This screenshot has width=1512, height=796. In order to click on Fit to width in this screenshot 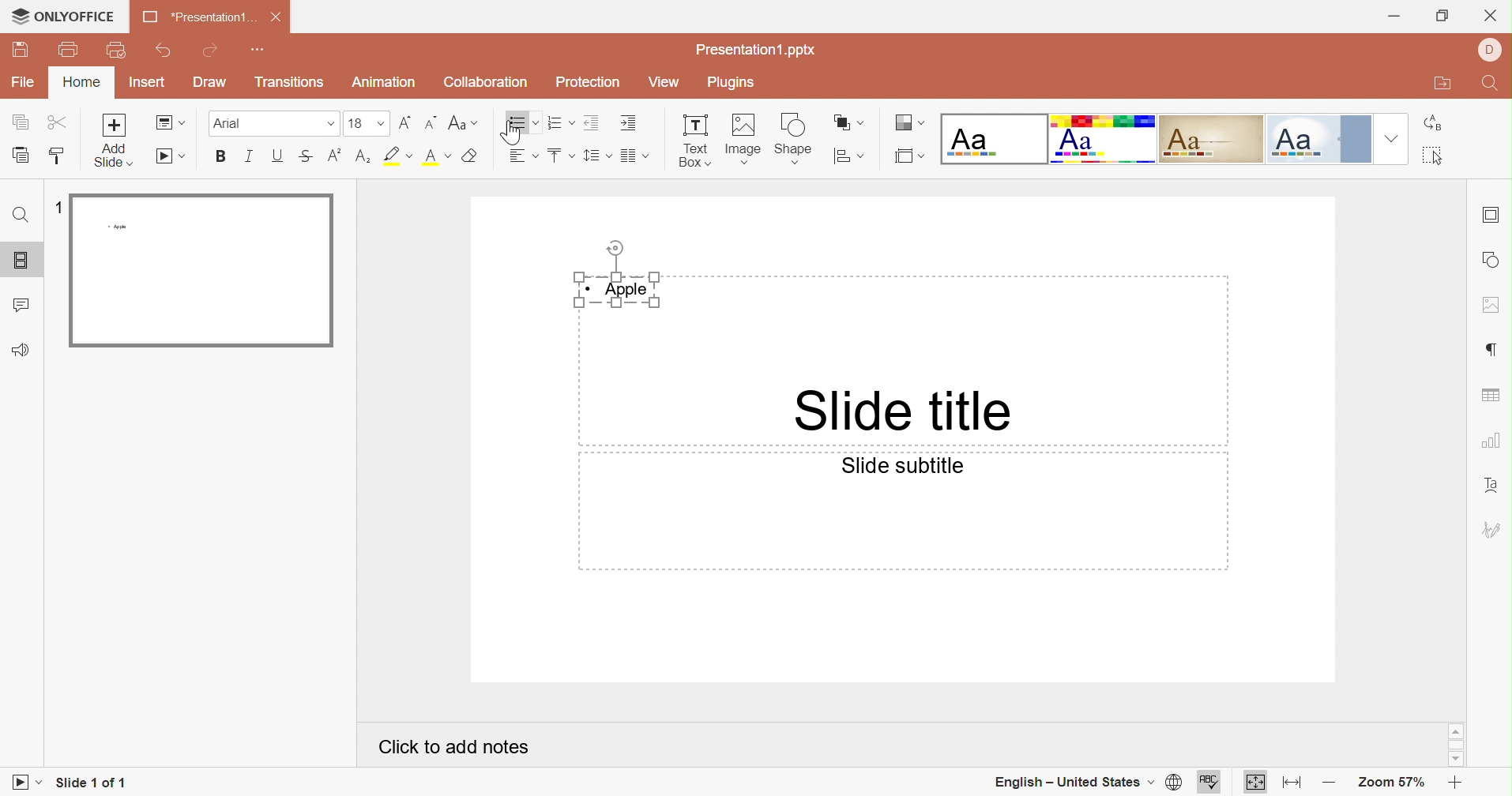, I will do `click(1296, 783)`.